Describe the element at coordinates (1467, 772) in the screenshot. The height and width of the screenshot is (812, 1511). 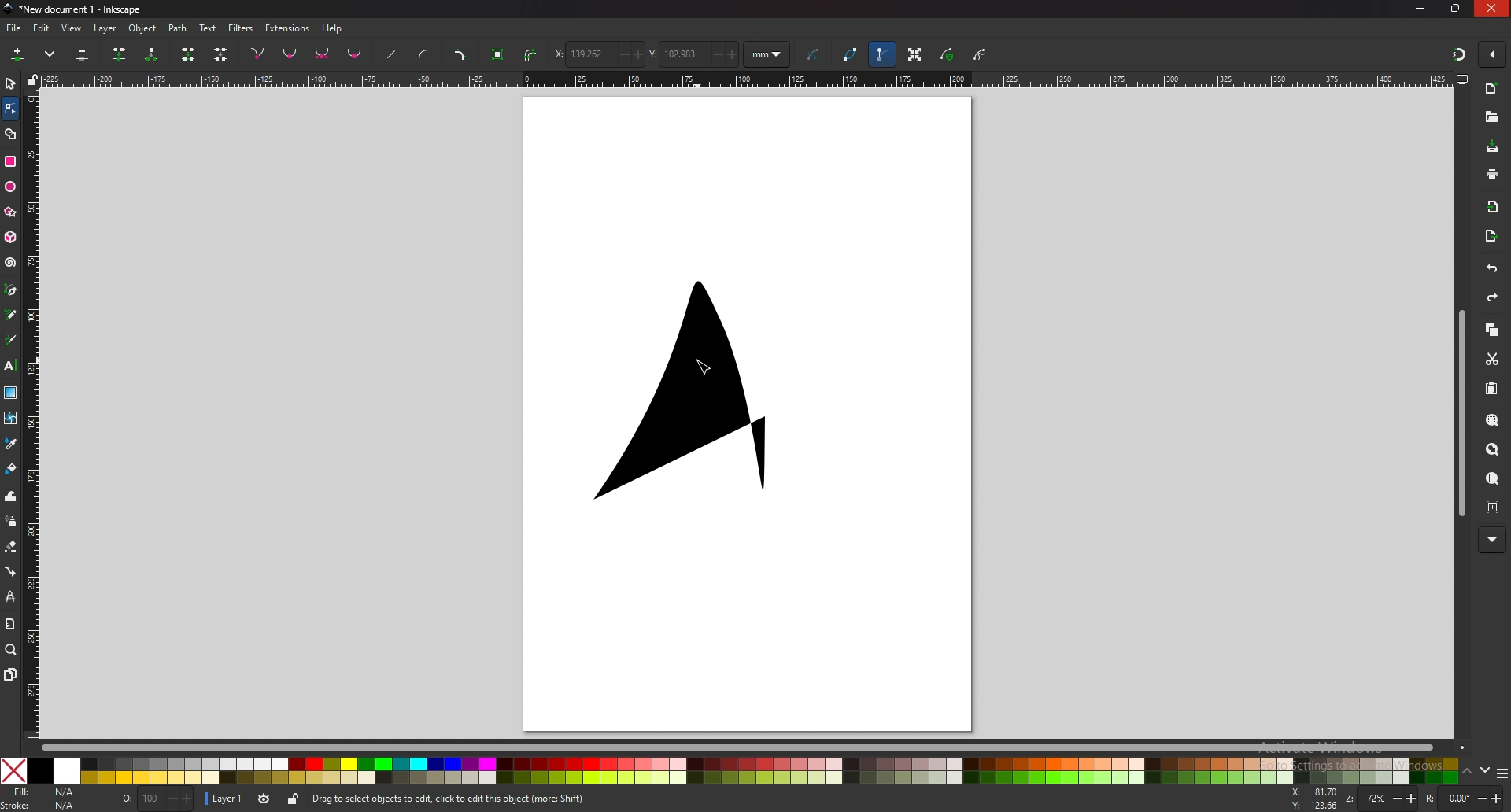
I see `up` at that location.